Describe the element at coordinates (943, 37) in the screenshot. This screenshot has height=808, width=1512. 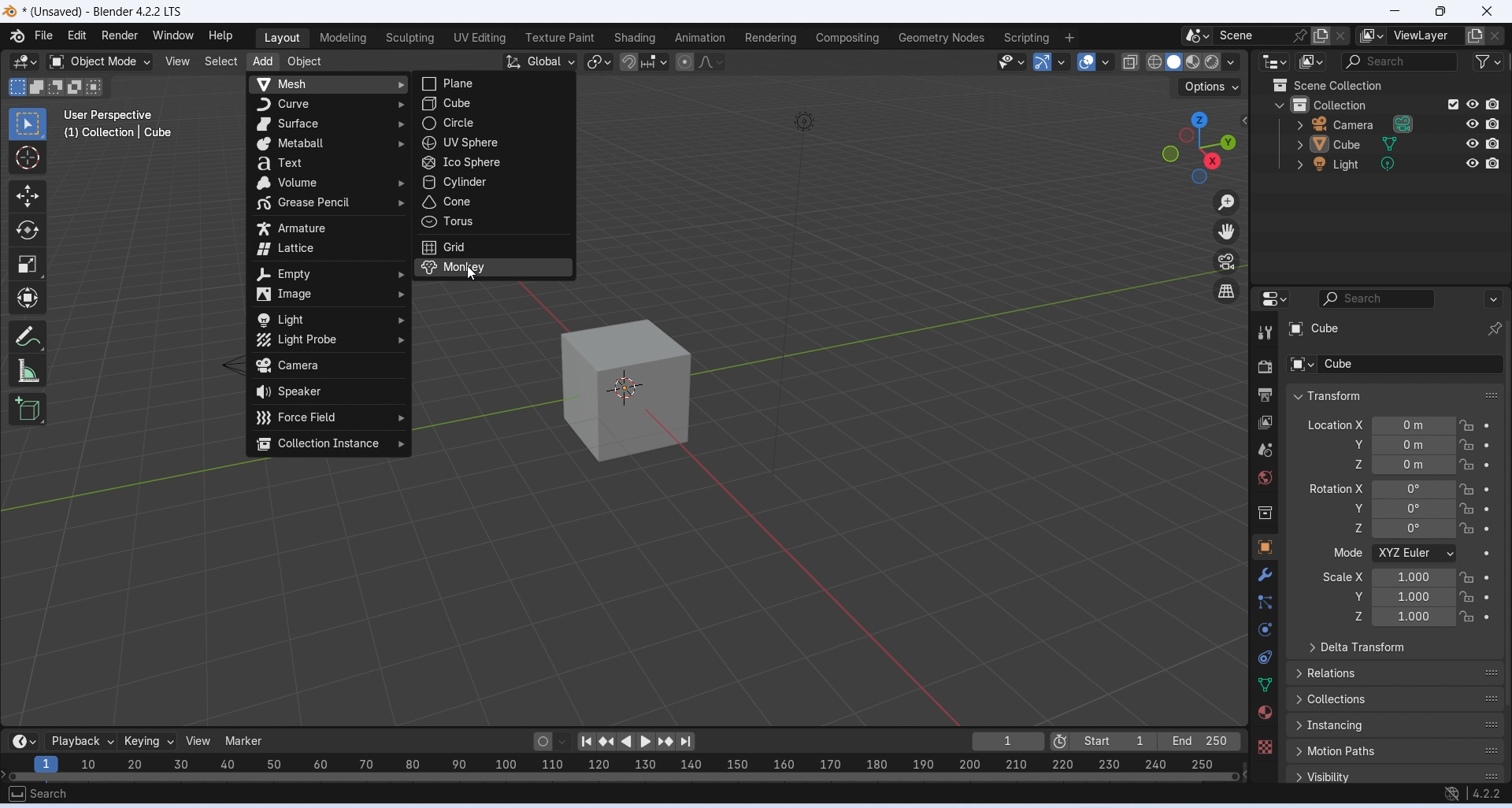
I see `Geometry notes` at that location.